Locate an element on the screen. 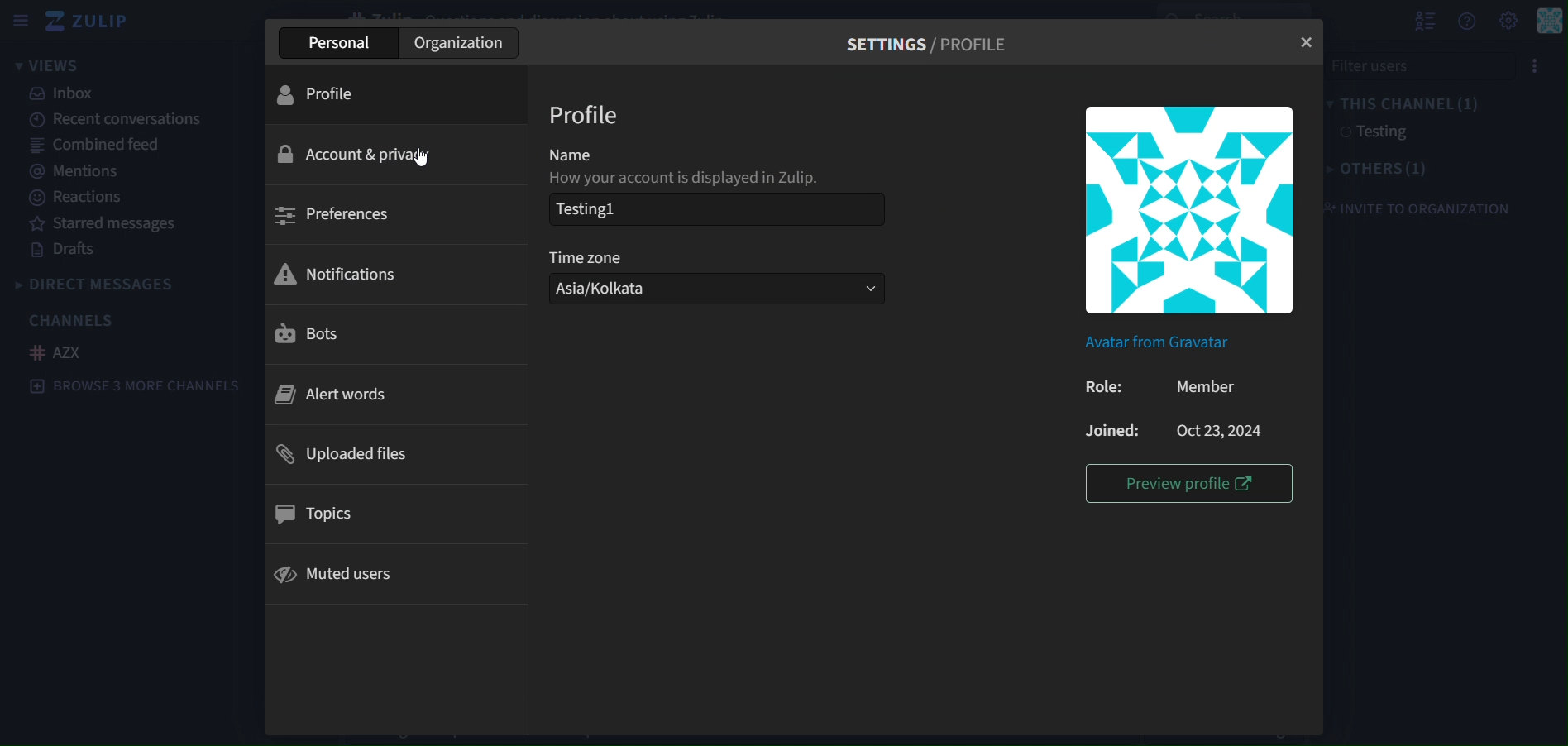  preview profile is located at coordinates (1179, 481).